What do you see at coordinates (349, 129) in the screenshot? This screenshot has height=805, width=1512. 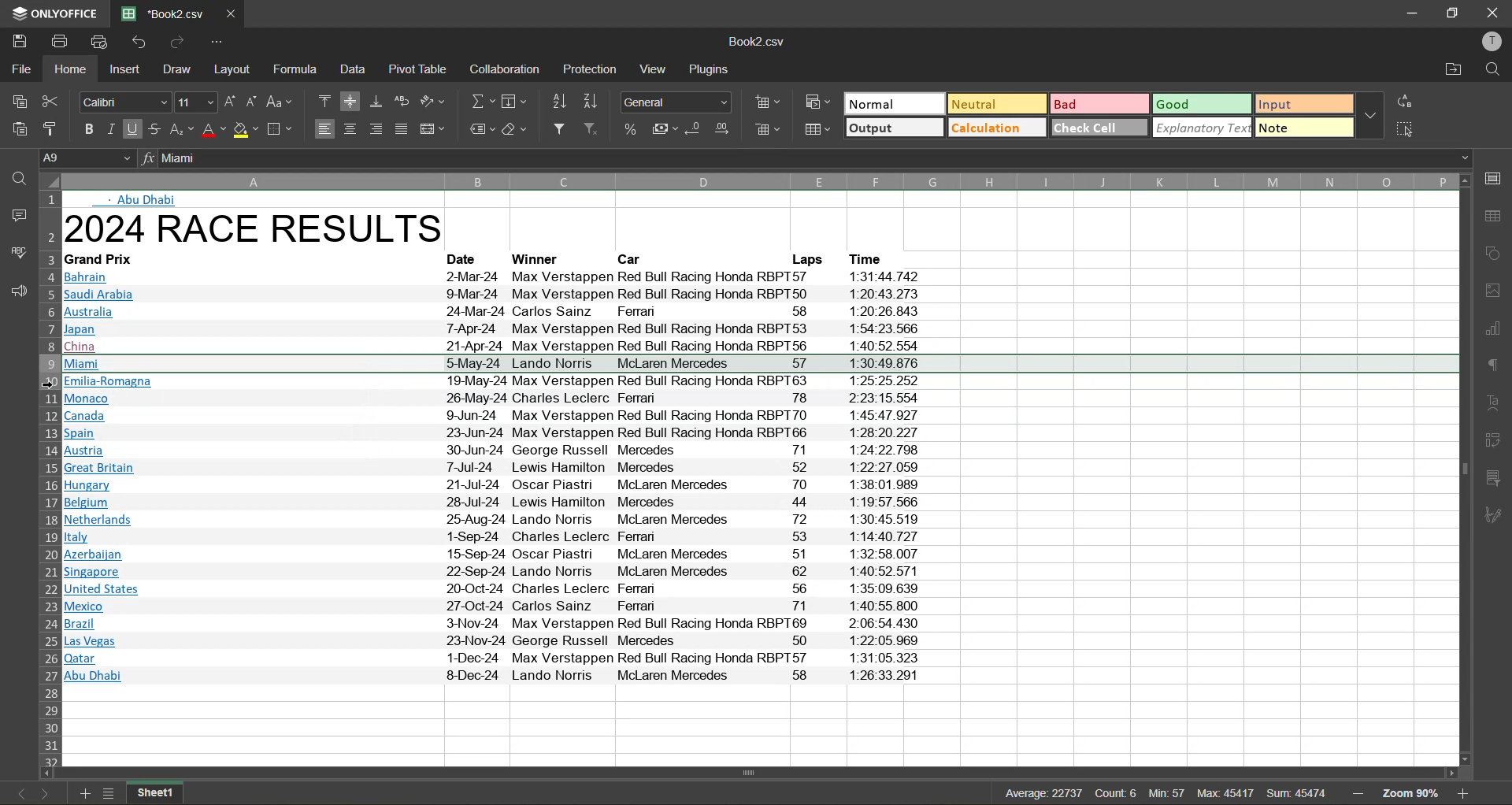 I see `align center` at bounding box center [349, 129].